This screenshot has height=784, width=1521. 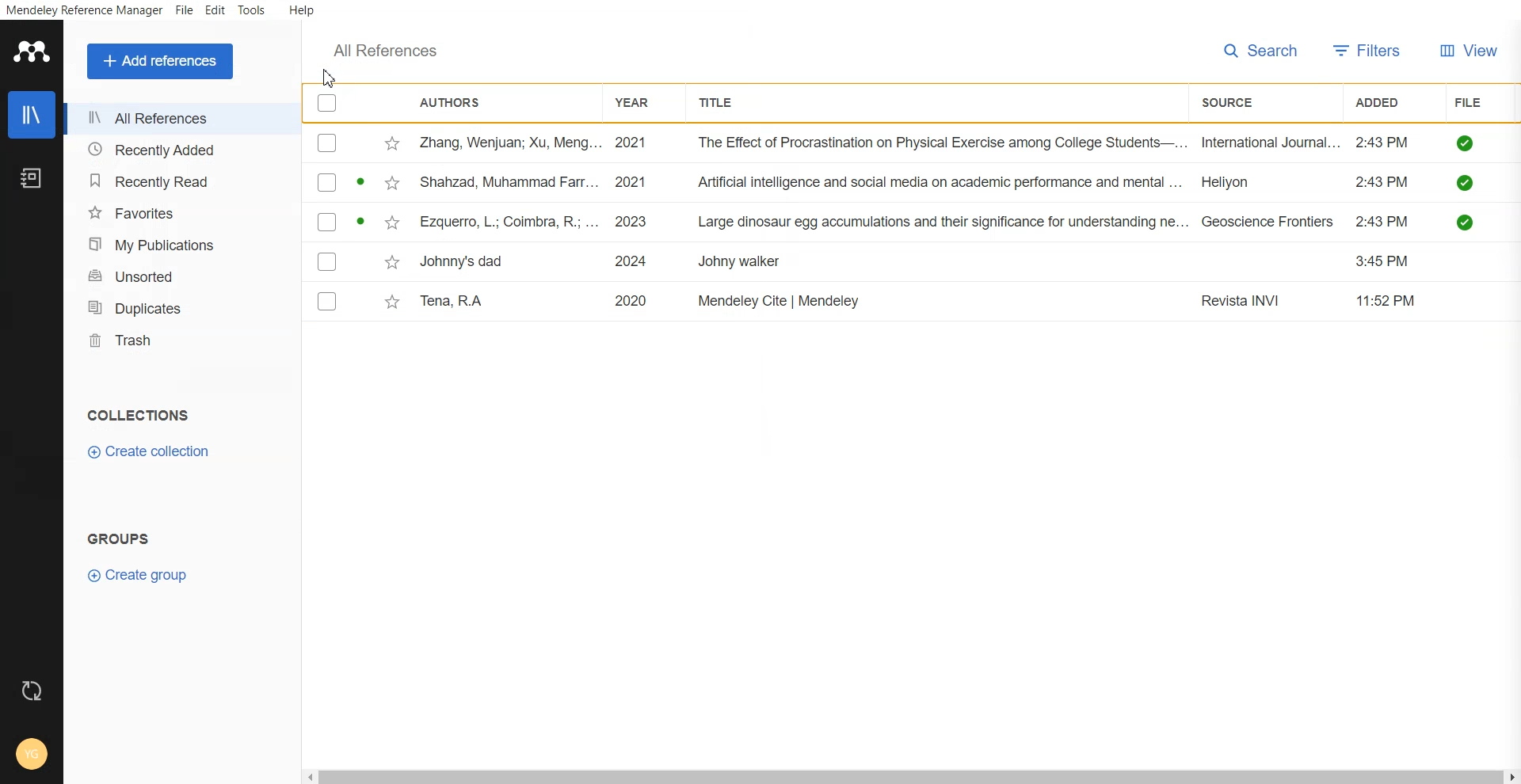 I want to click on Source, so click(x=1235, y=103).